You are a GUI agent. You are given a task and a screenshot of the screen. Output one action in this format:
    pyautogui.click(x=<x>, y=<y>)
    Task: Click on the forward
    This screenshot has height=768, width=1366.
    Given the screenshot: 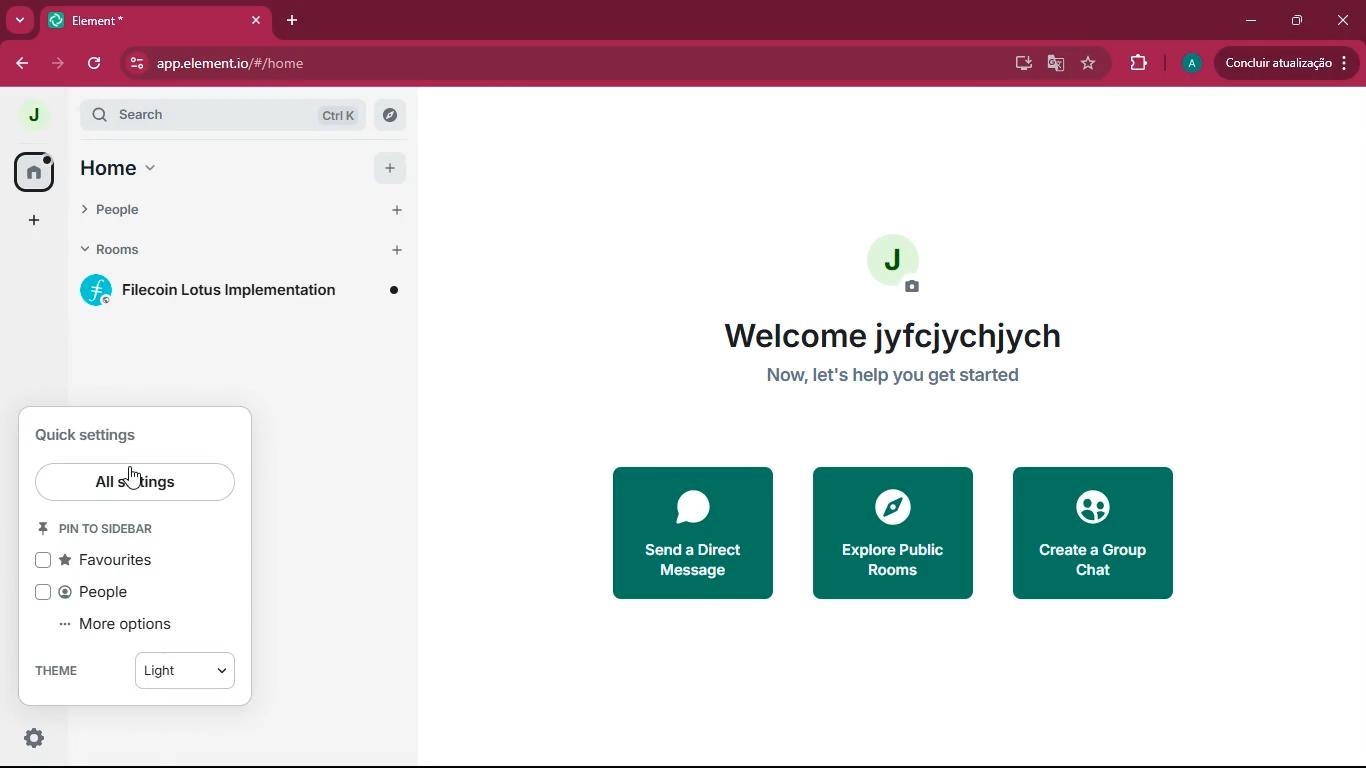 What is the action you would take?
    pyautogui.click(x=55, y=63)
    